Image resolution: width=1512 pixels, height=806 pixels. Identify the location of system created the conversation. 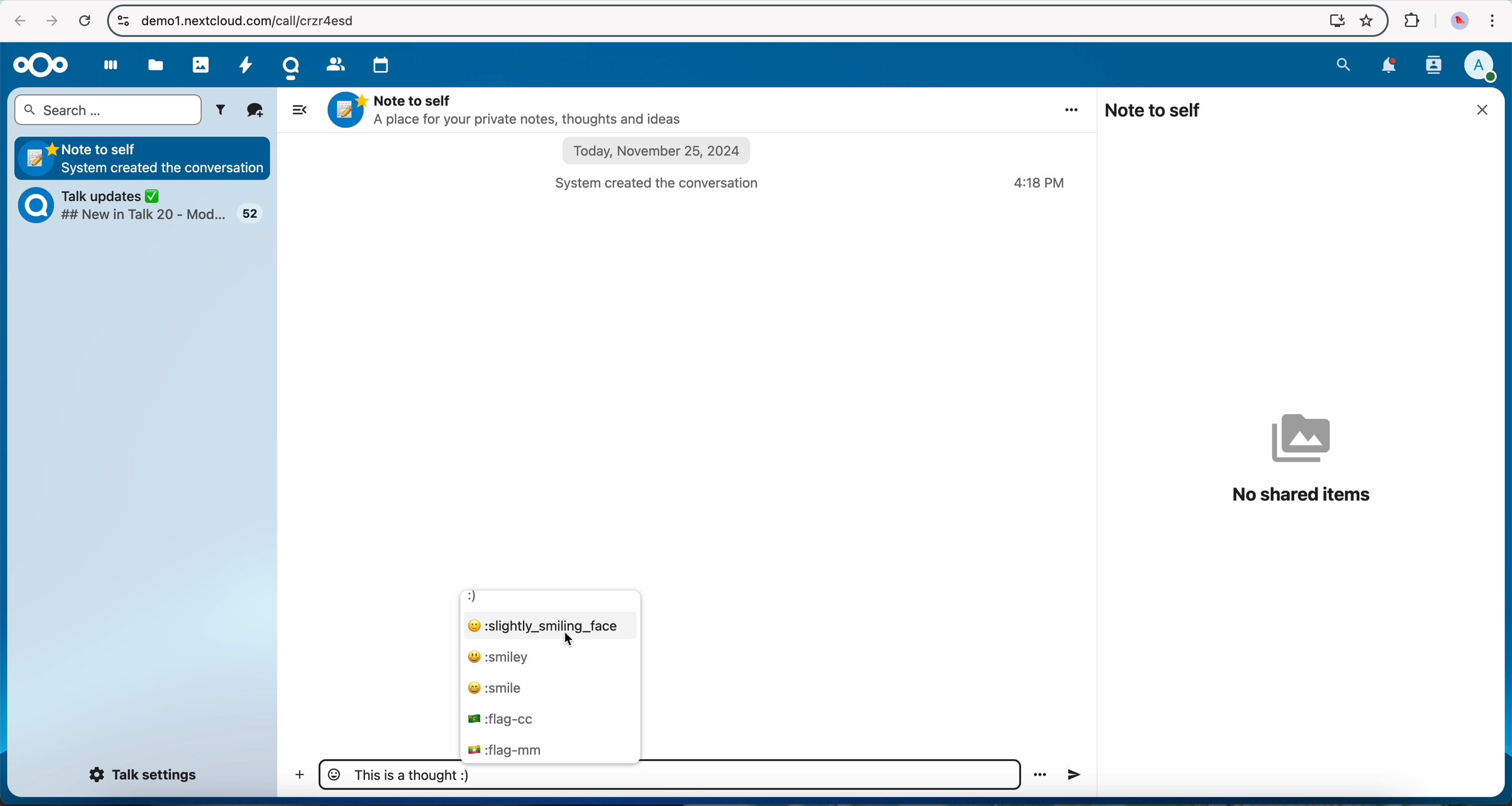
(666, 182).